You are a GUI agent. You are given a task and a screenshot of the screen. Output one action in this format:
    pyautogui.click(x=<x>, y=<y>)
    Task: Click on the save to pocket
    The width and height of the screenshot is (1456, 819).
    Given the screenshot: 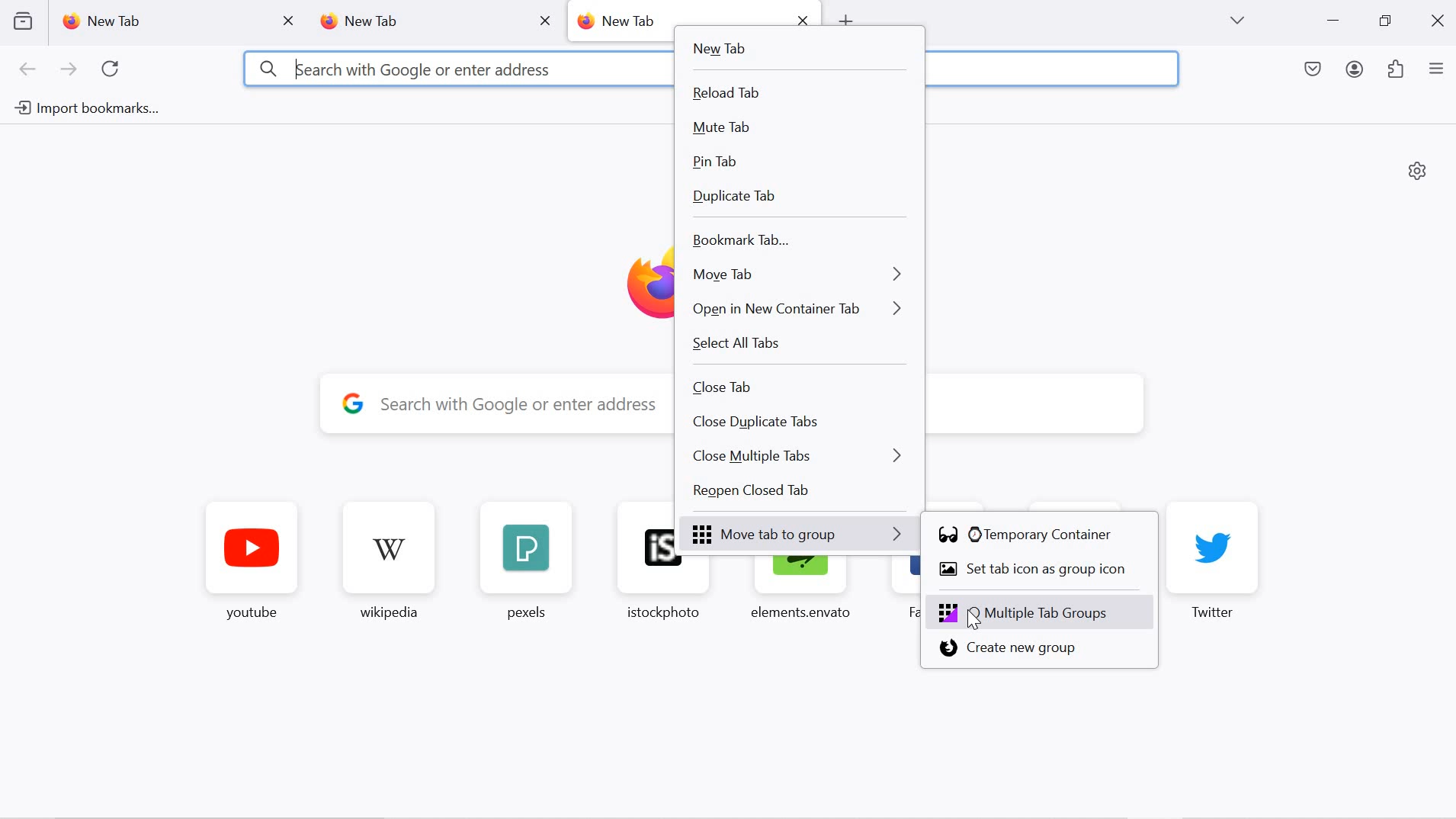 What is the action you would take?
    pyautogui.click(x=1314, y=71)
    